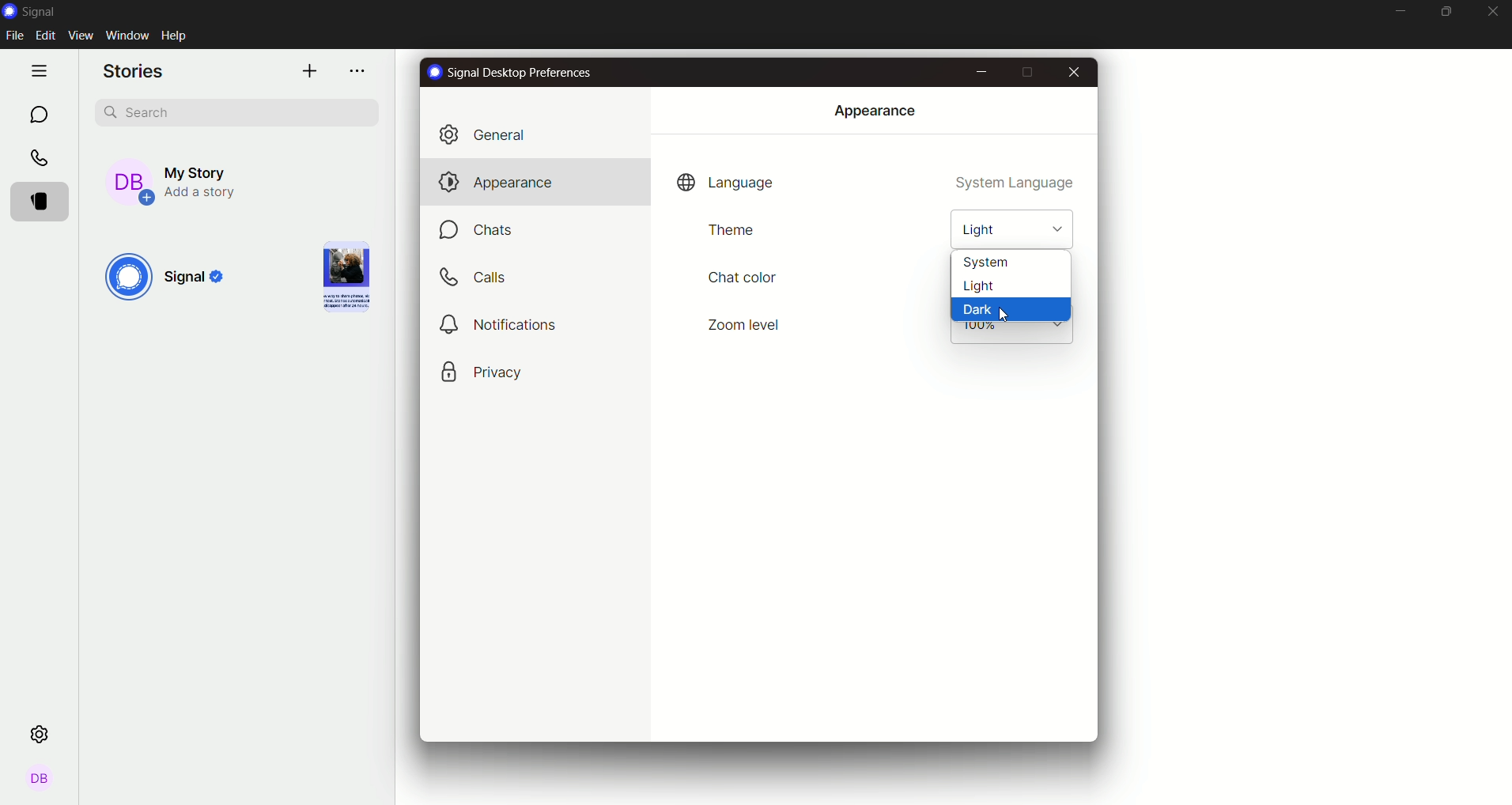  What do you see at coordinates (1072, 72) in the screenshot?
I see `close` at bounding box center [1072, 72].